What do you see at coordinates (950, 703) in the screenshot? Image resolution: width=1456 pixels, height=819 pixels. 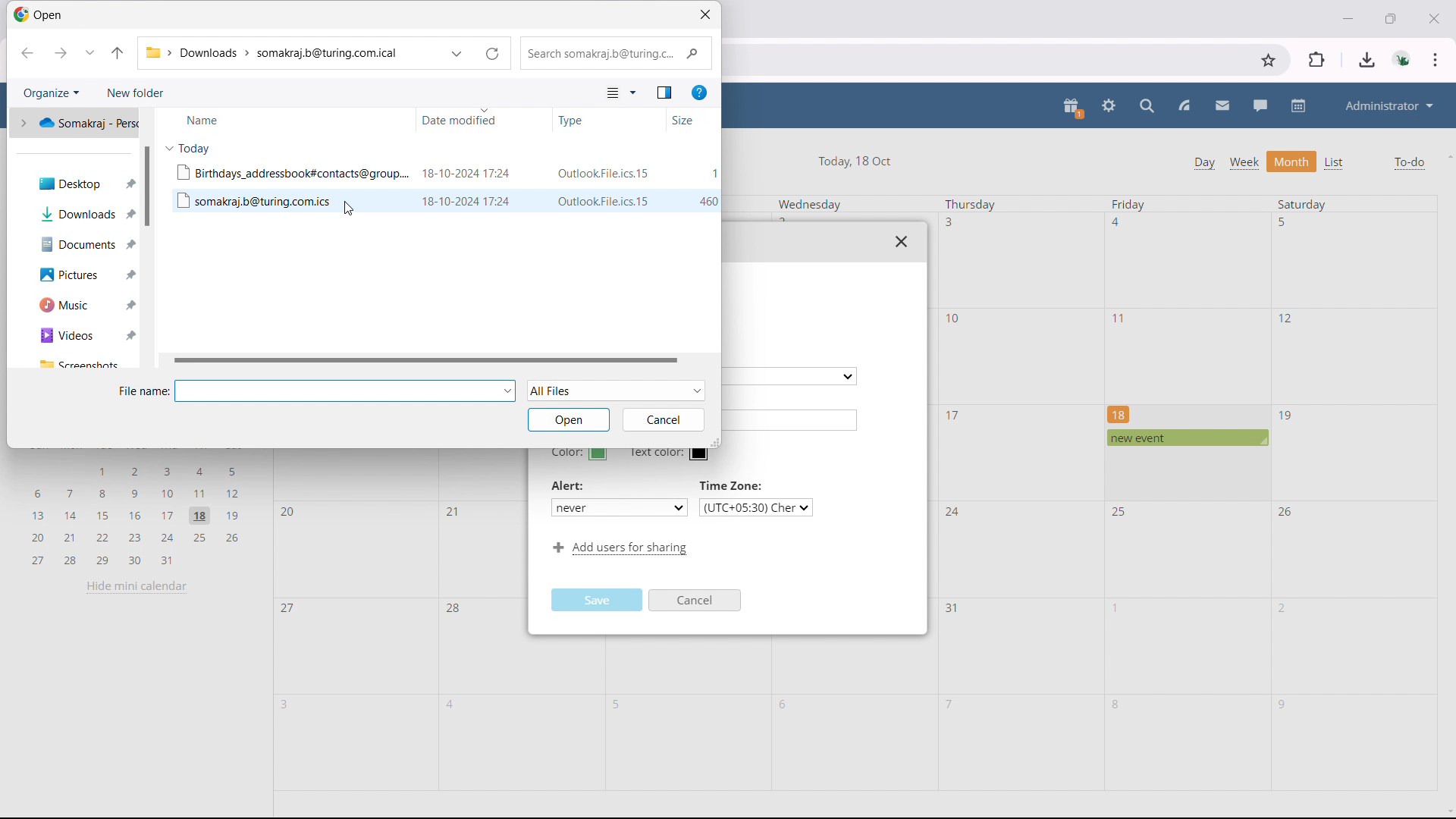 I see `7` at bounding box center [950, 703].